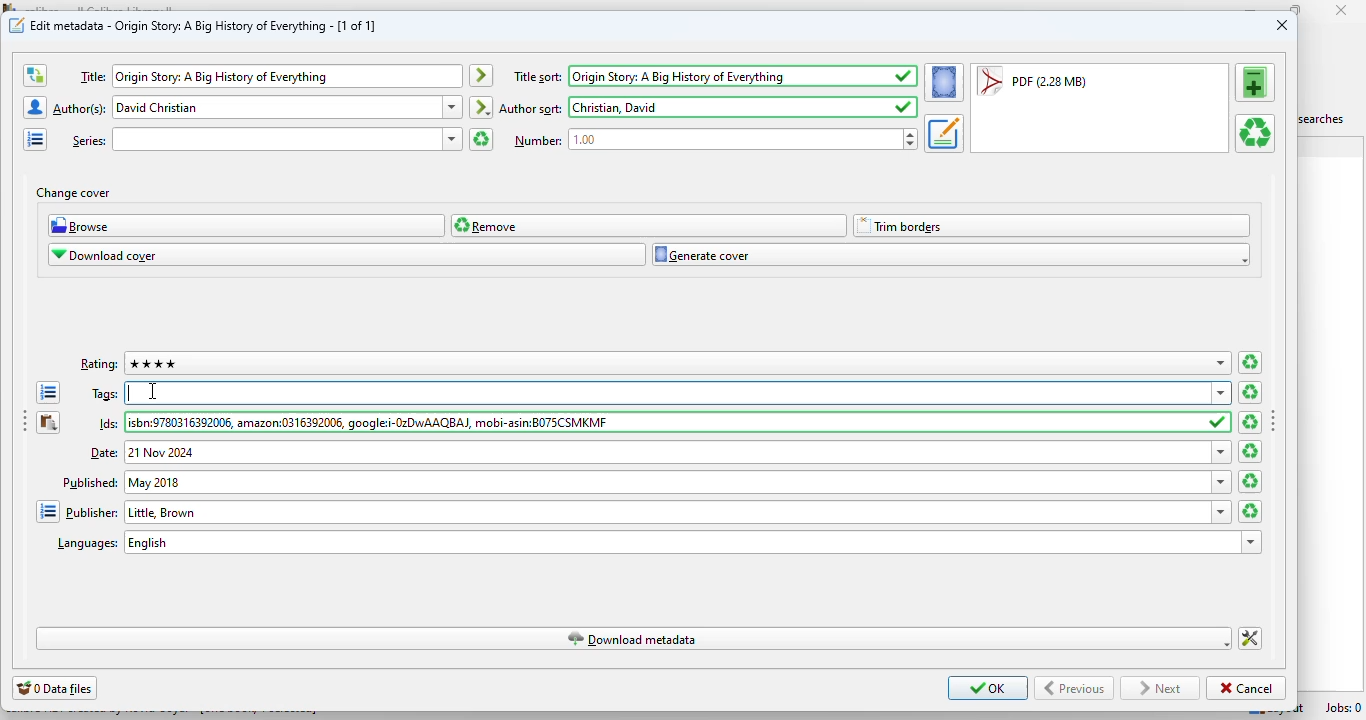 The height and width of the screenshot is (720, 1366). What do you see at coordinates (277, 108) in the screenshot?
I see `Author(s): David Christian` at bounding box center [277, 108].